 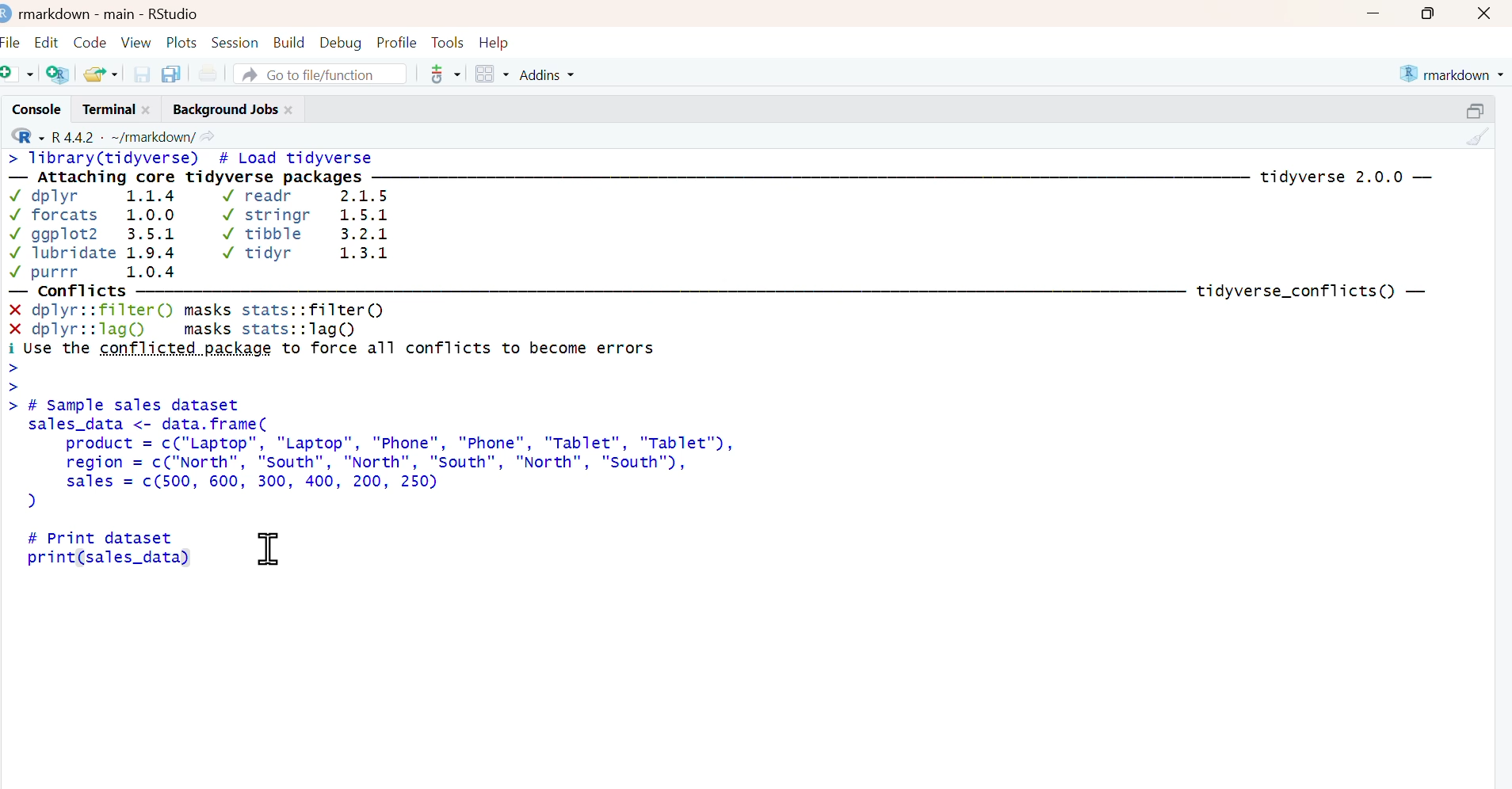 What do you see at coordinates (223, 108) in the screenshot?
I see `Background Jobs` at bounding box center [223, 108].